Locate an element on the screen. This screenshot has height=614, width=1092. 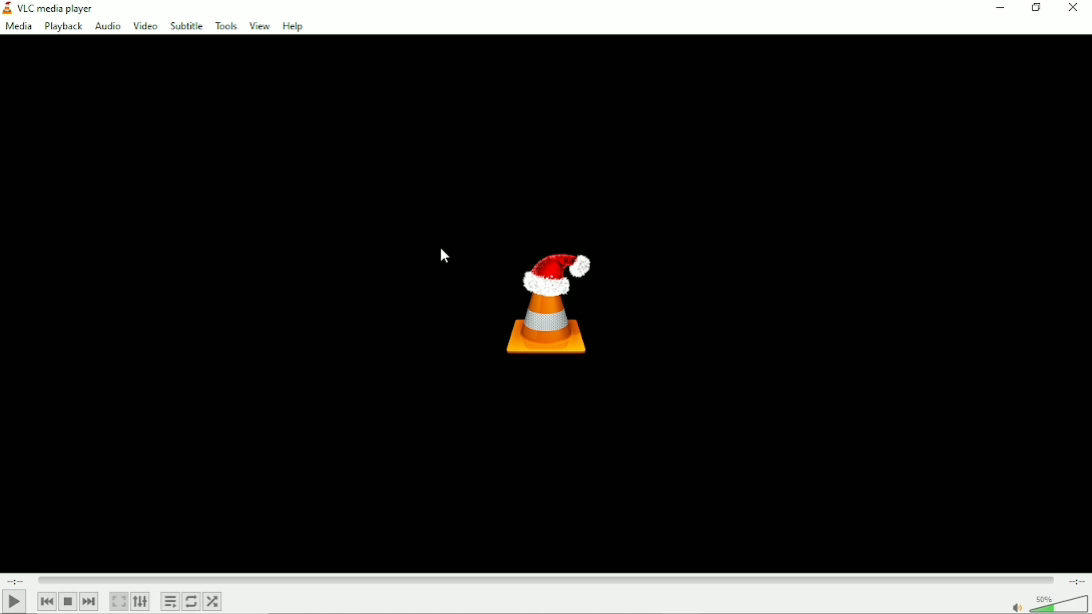
Stop playback is located at coordinates (69, 602).